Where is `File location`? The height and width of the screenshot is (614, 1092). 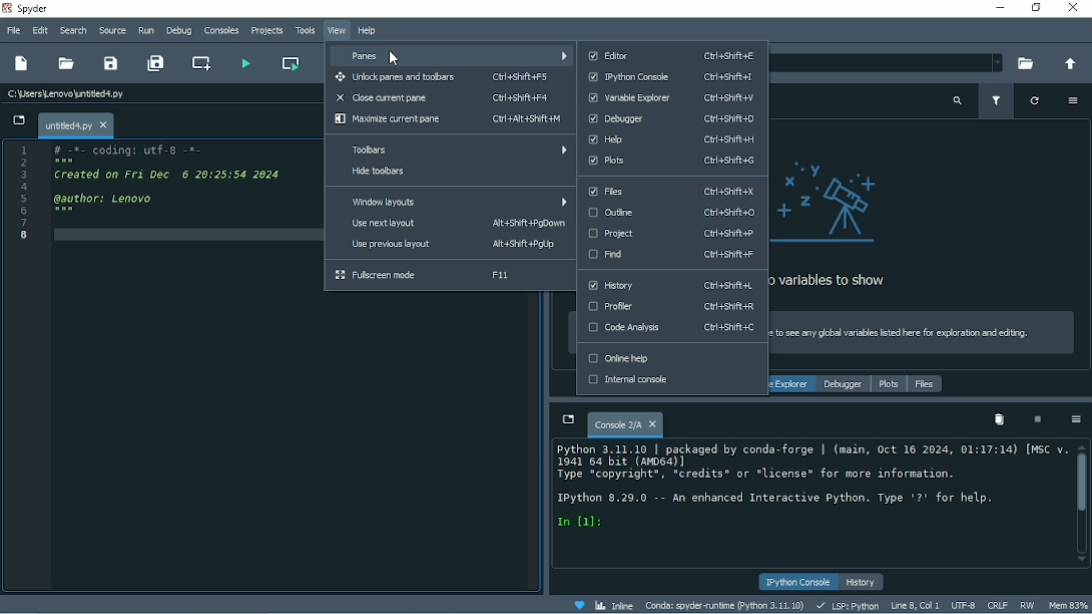 File location is located at coordinates (887, 63).